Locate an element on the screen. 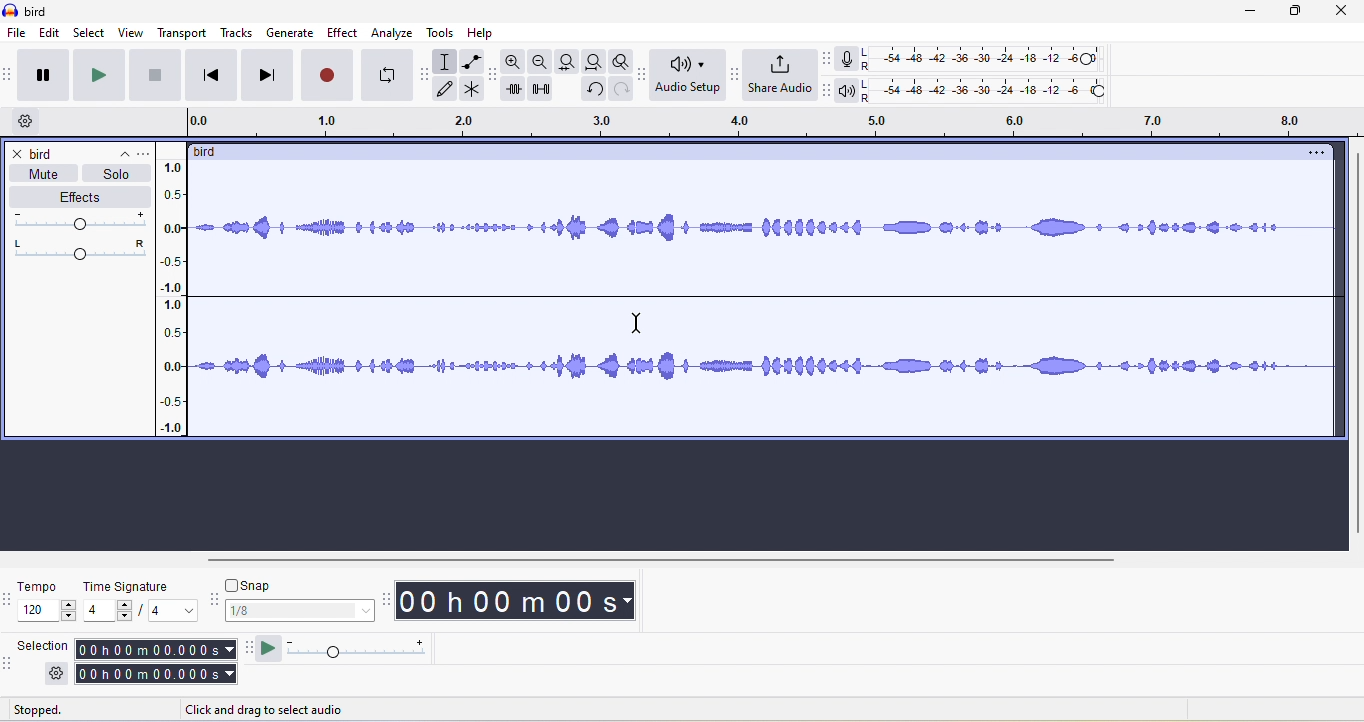  vertical scroll bar is located at coordinates (1352, 344).